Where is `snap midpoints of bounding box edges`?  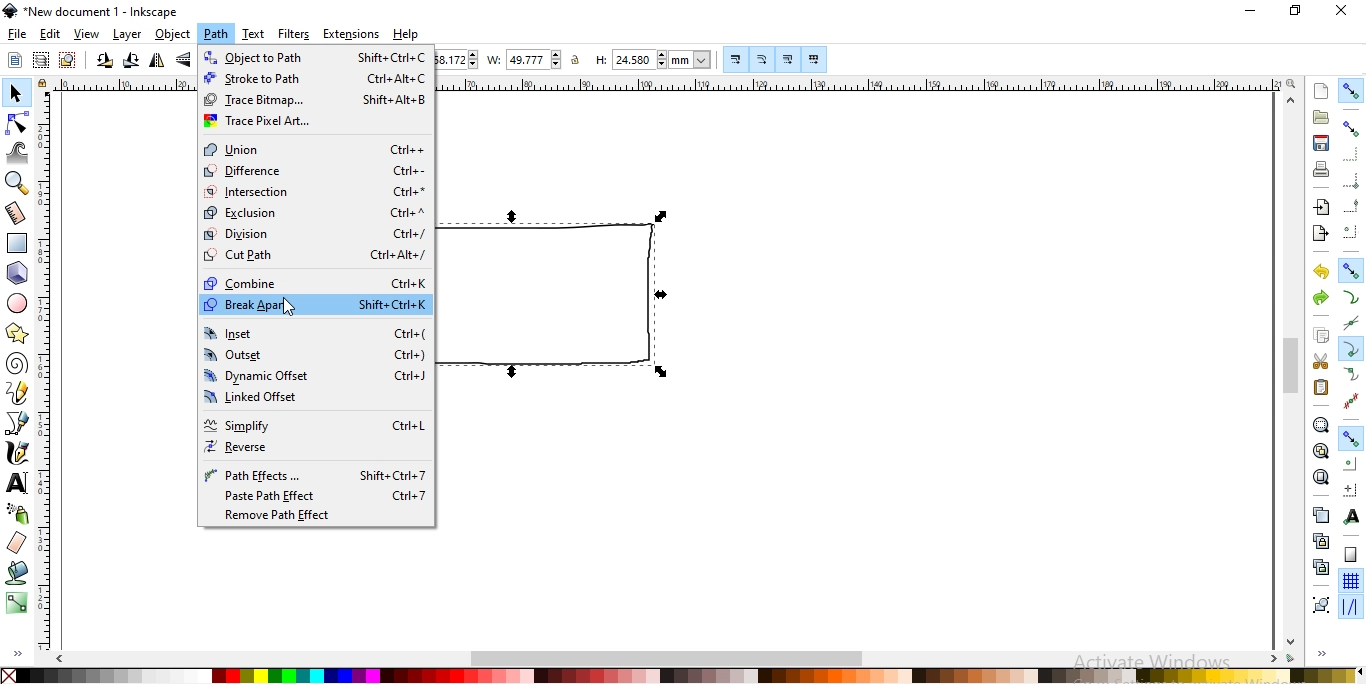
snap midpoints of bounding box edges is located at coordinates (1352, 204).